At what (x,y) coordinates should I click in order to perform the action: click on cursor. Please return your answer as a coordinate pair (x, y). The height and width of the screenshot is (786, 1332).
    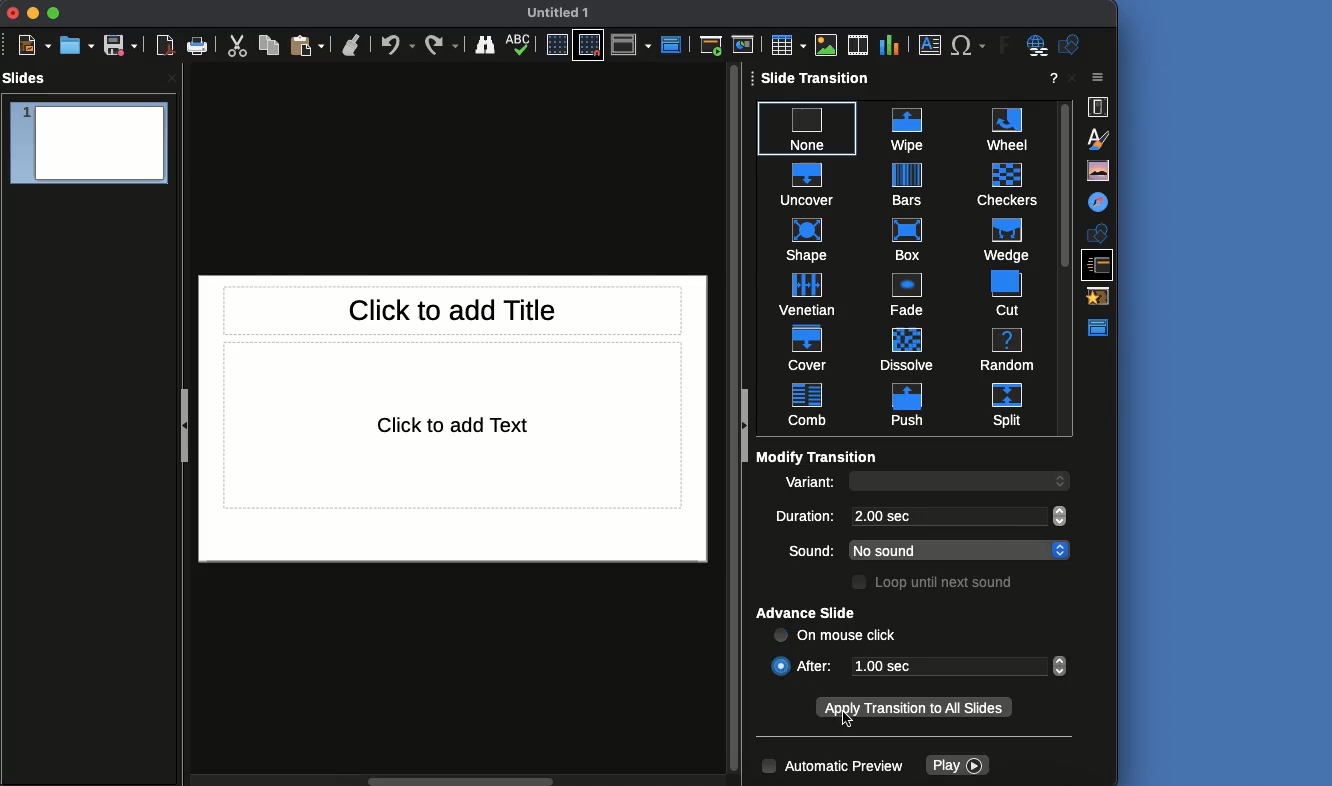
    Looking at the image, I should click on (850, 722).